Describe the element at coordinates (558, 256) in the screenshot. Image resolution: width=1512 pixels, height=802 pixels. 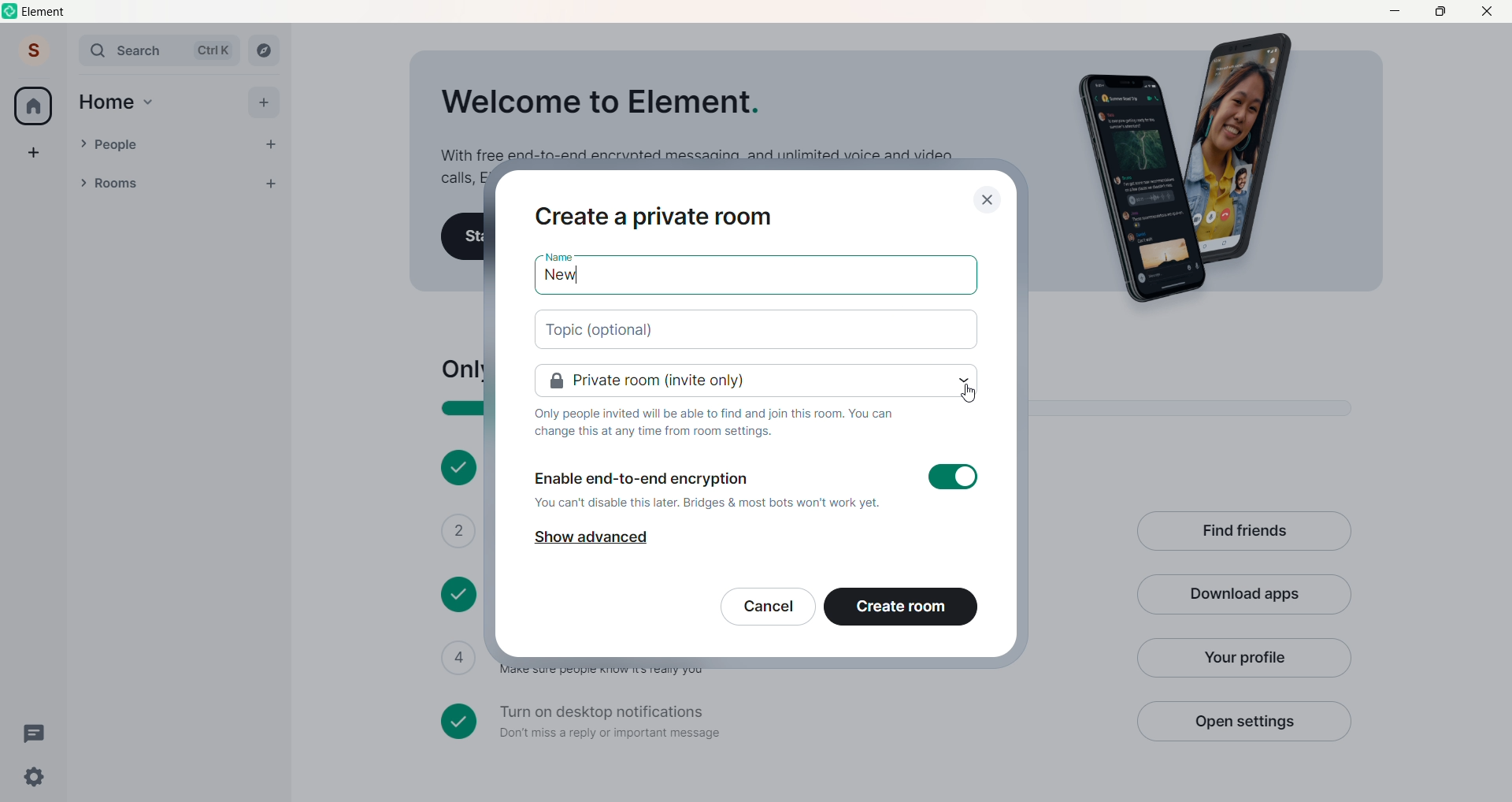
I see ` Name` at that location.